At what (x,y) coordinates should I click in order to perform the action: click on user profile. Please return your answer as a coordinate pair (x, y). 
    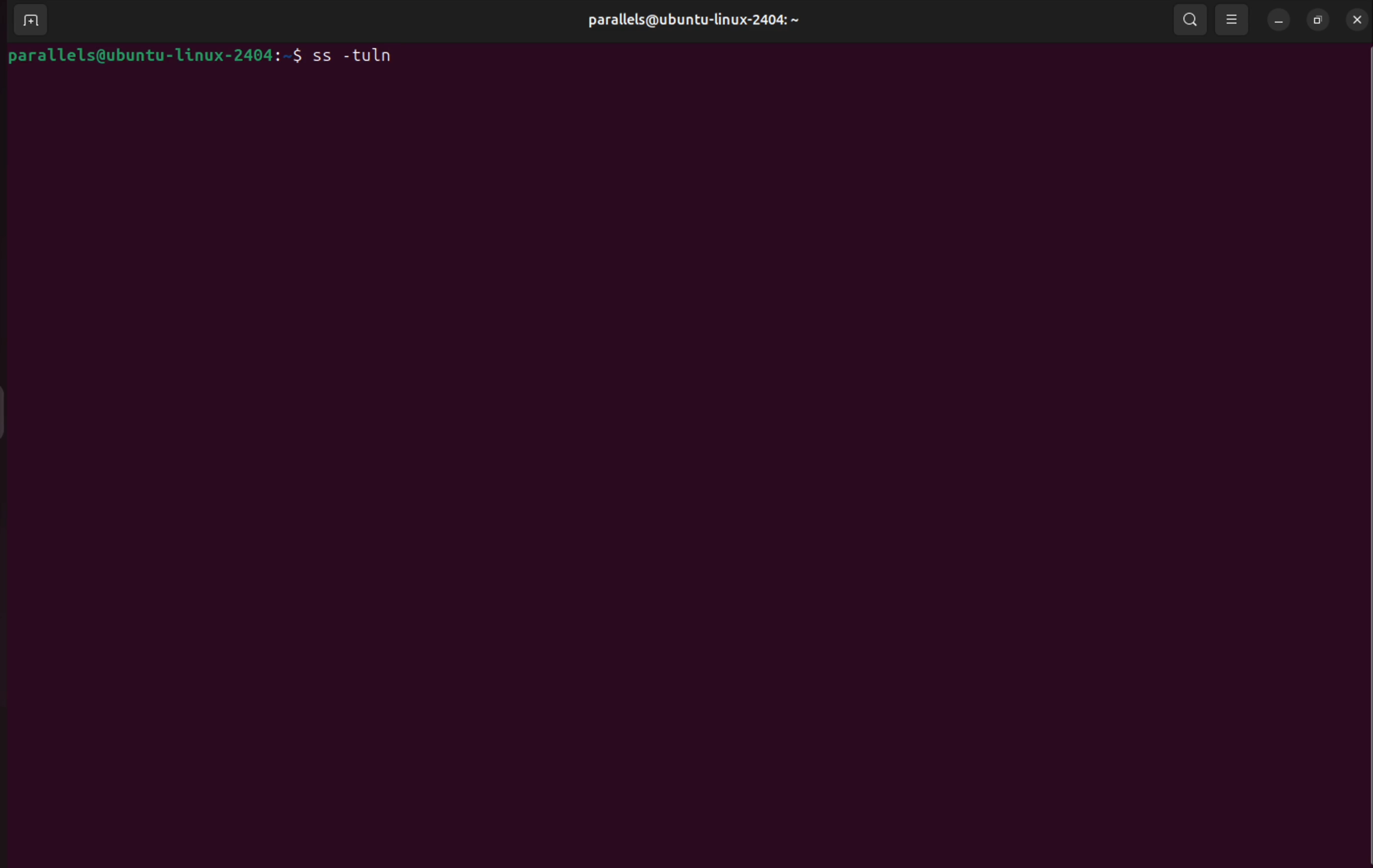
    Looking at the image, I should click on (709, 22).